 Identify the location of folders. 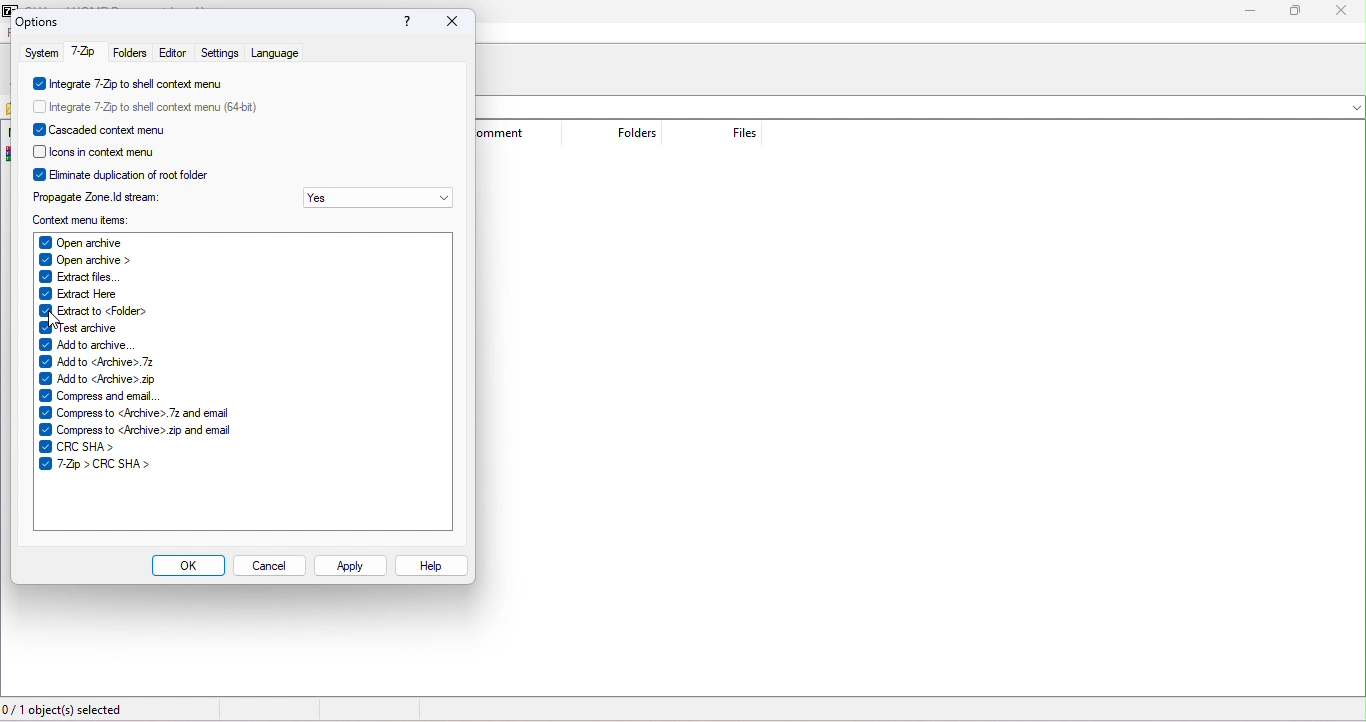
(129, 53).